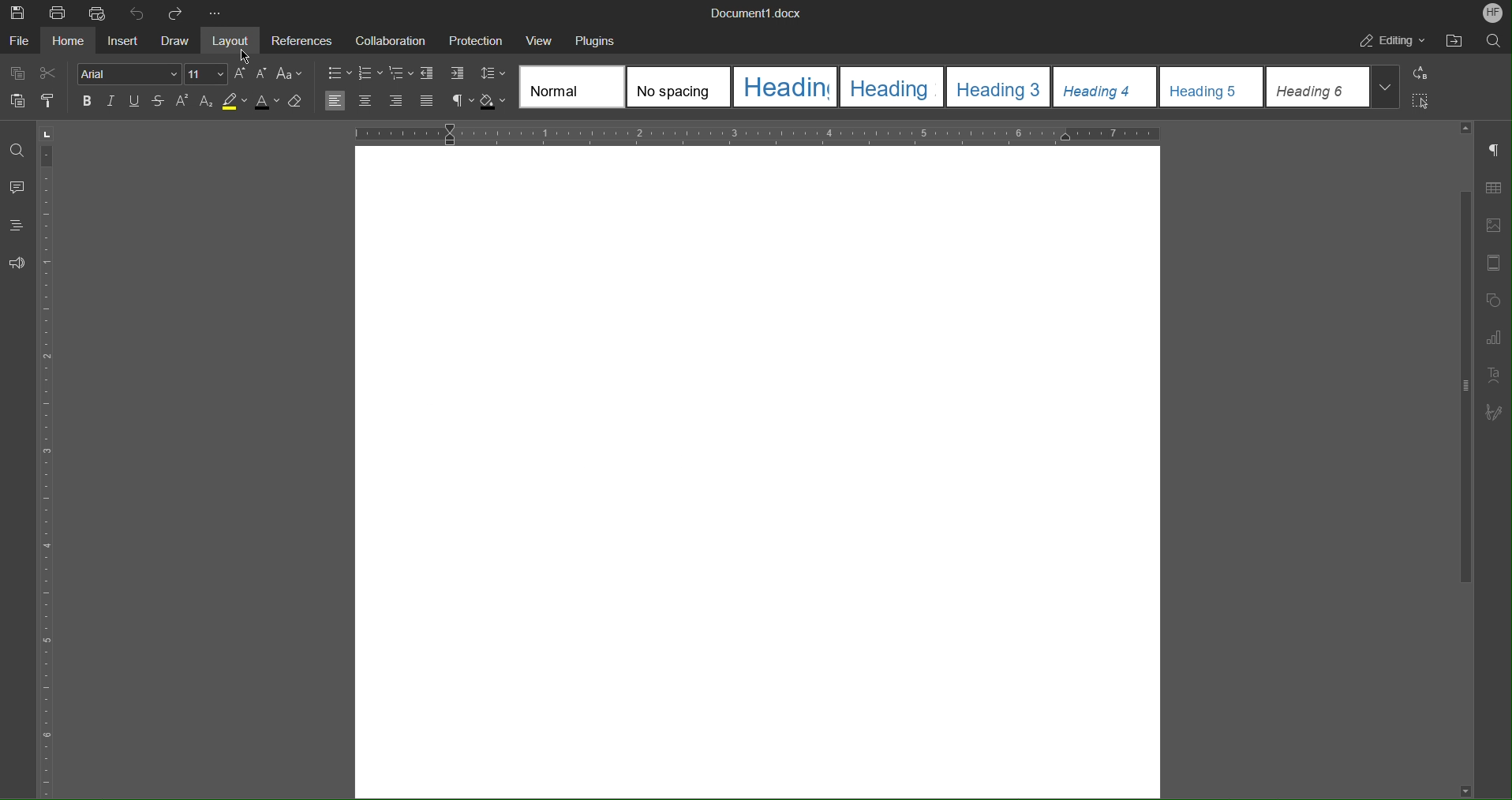  What do you see at coordinates (51, 73) in the screenshot?
I see `Cut` at bounding box center [51, 73].